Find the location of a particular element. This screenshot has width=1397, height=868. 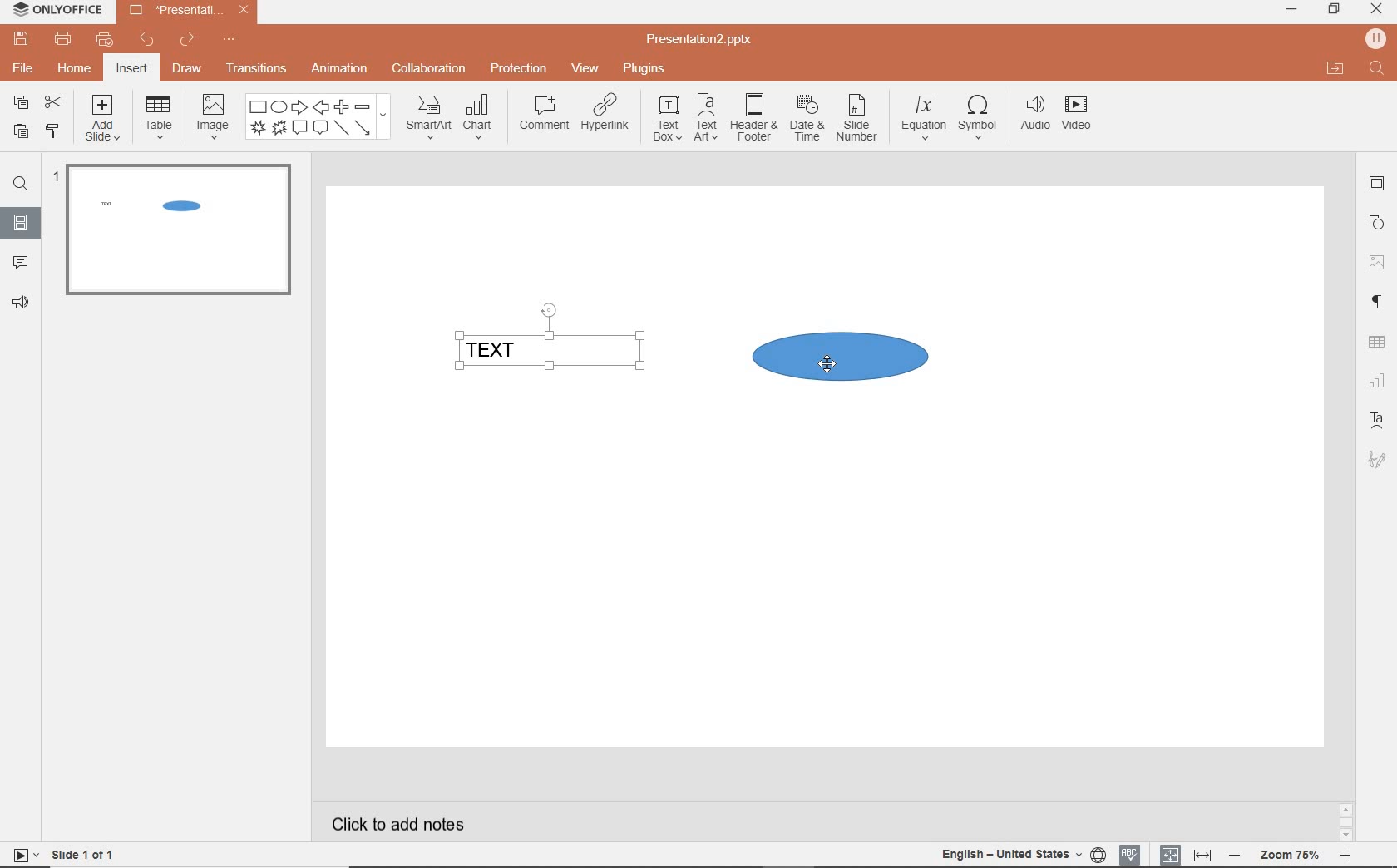

Presentation2.pptx is located at coordinates (187, 12).